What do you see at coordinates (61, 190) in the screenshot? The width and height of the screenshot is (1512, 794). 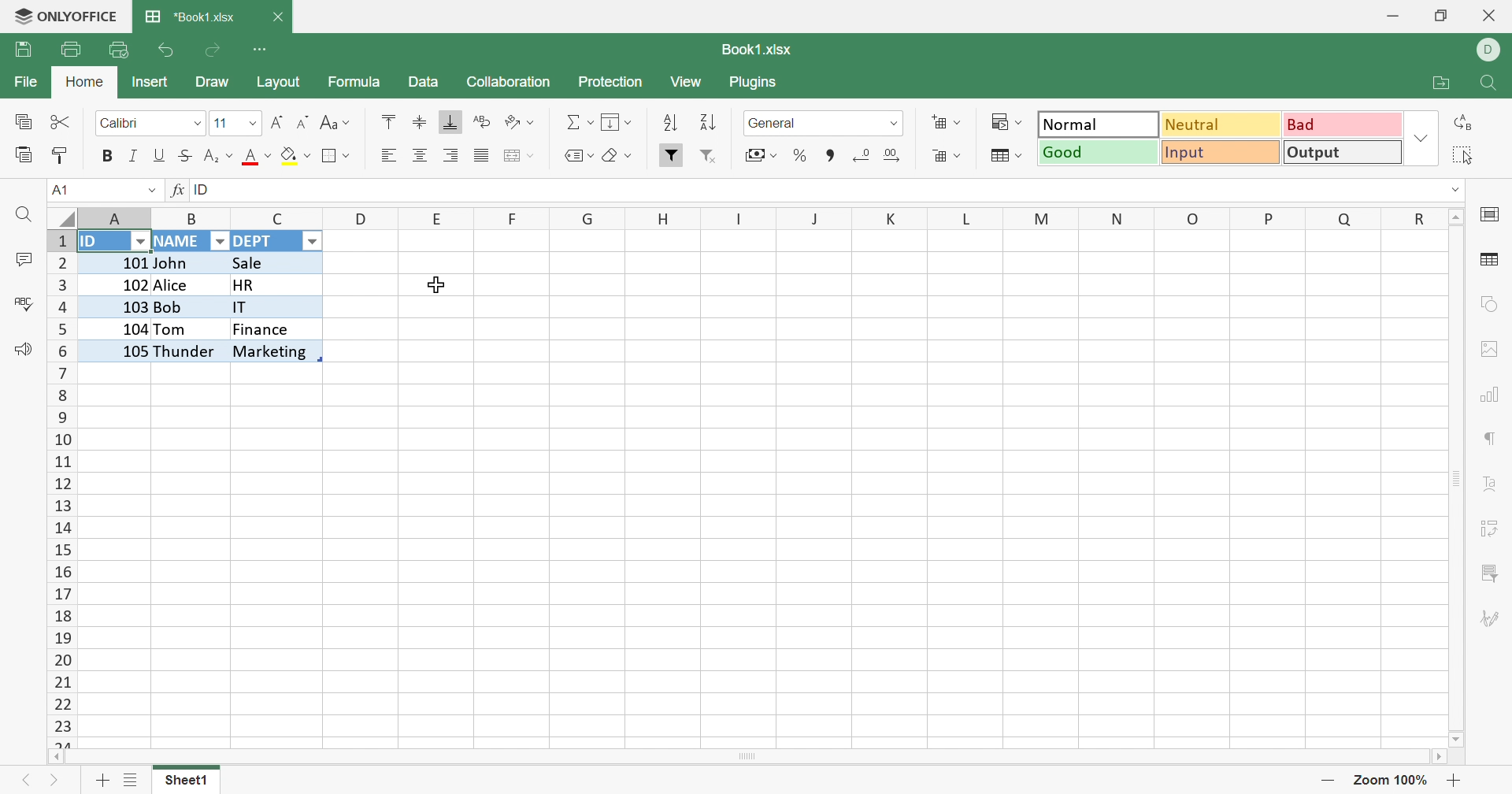 I see `A1` at bounding box center [61, 190].